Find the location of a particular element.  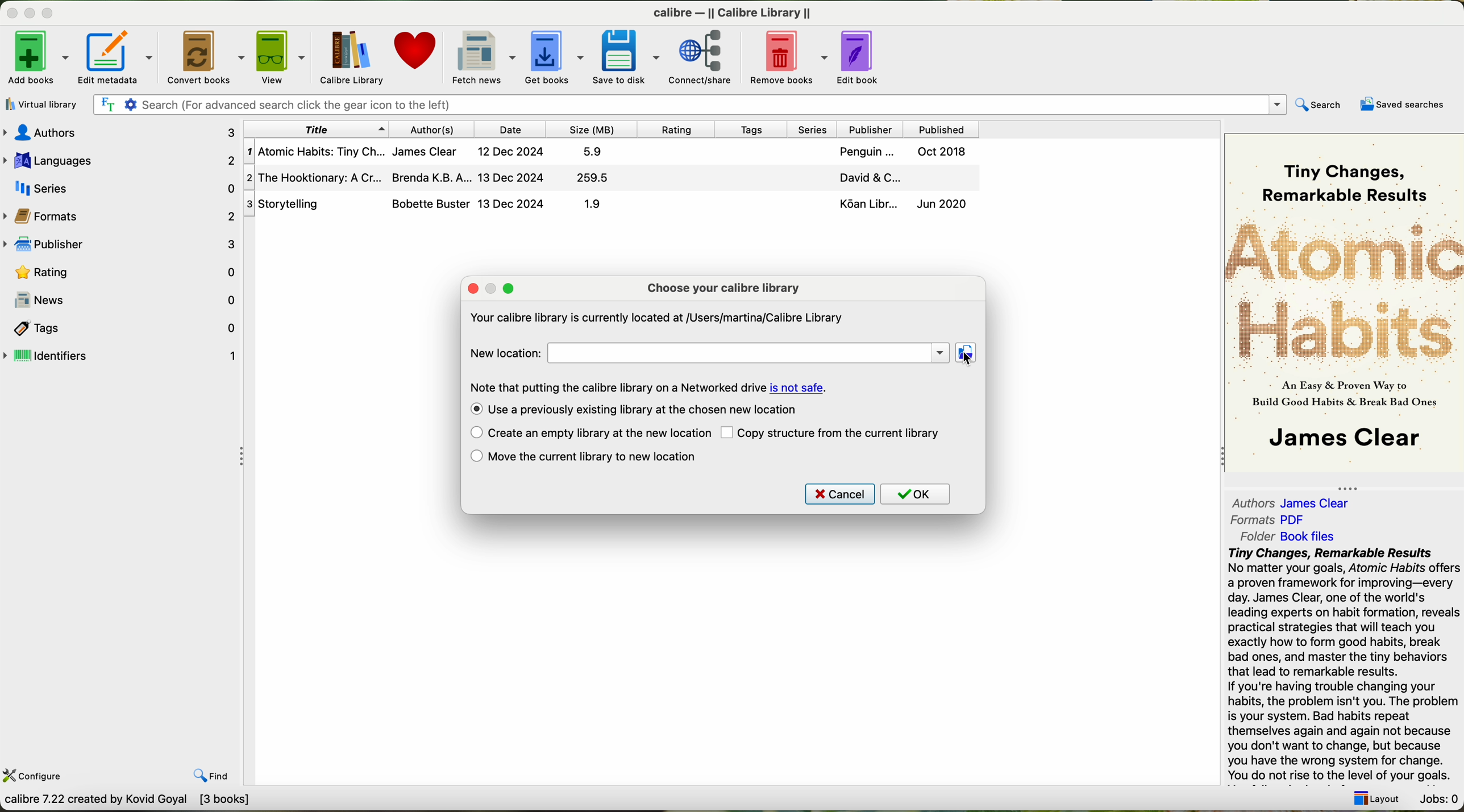

rating is located at coordinates (122, 272).